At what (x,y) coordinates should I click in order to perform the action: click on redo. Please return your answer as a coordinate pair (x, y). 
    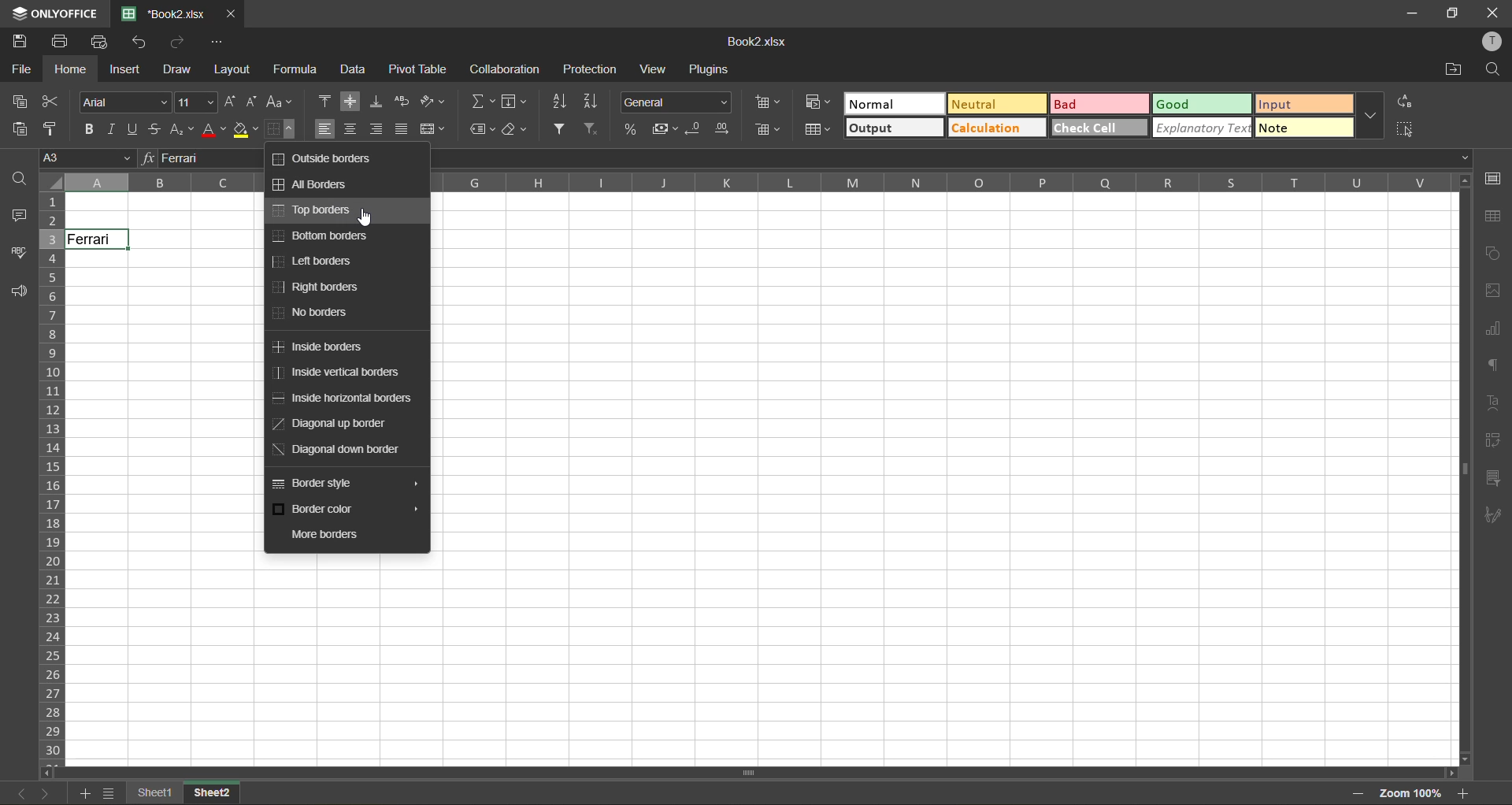
    Looking at the image, I should click on (179, 43).